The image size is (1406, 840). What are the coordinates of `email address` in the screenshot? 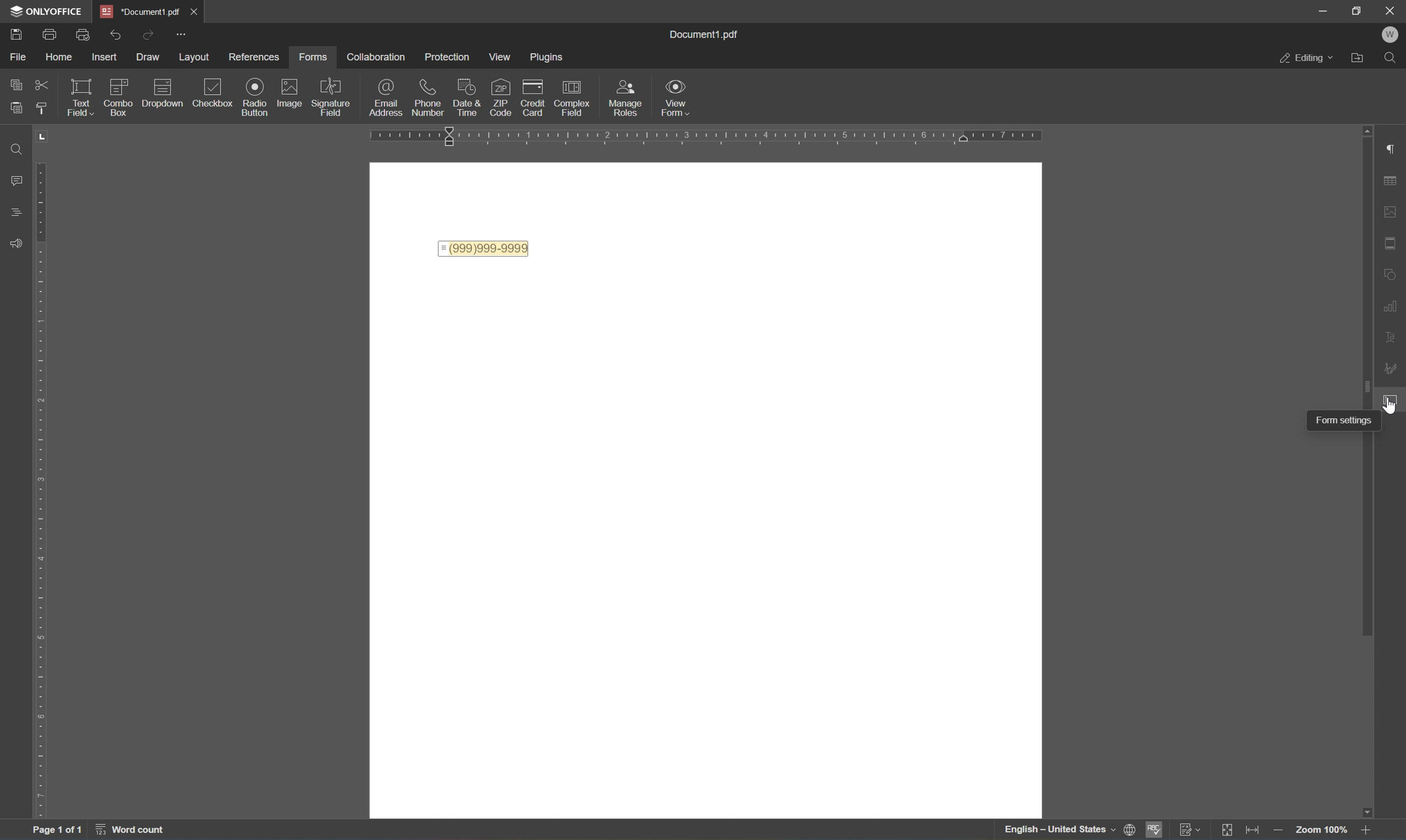 It's located at (385, 99).